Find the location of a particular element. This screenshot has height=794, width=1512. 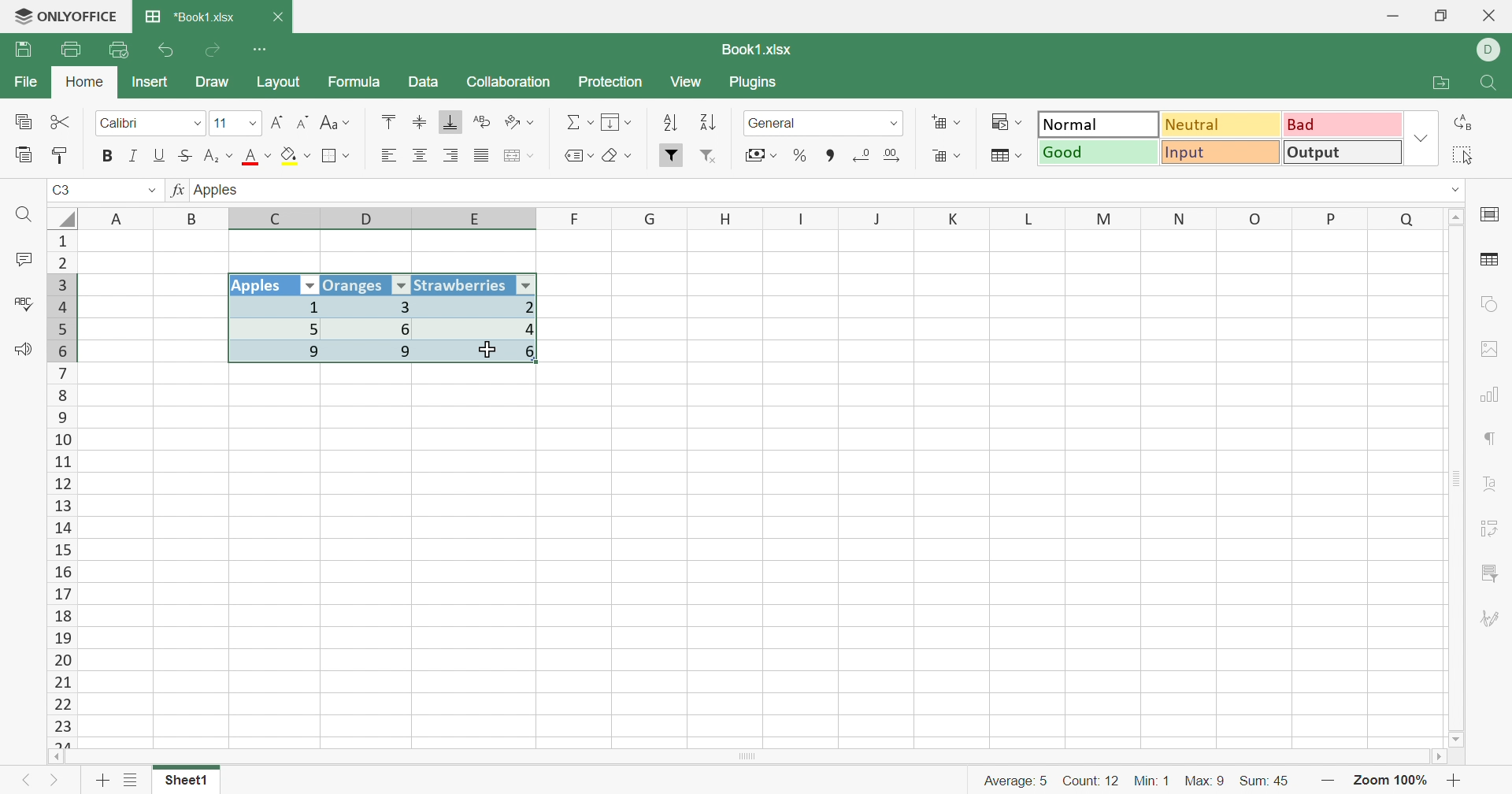

*Book1.xlsx is located at coordinates (190, 18).